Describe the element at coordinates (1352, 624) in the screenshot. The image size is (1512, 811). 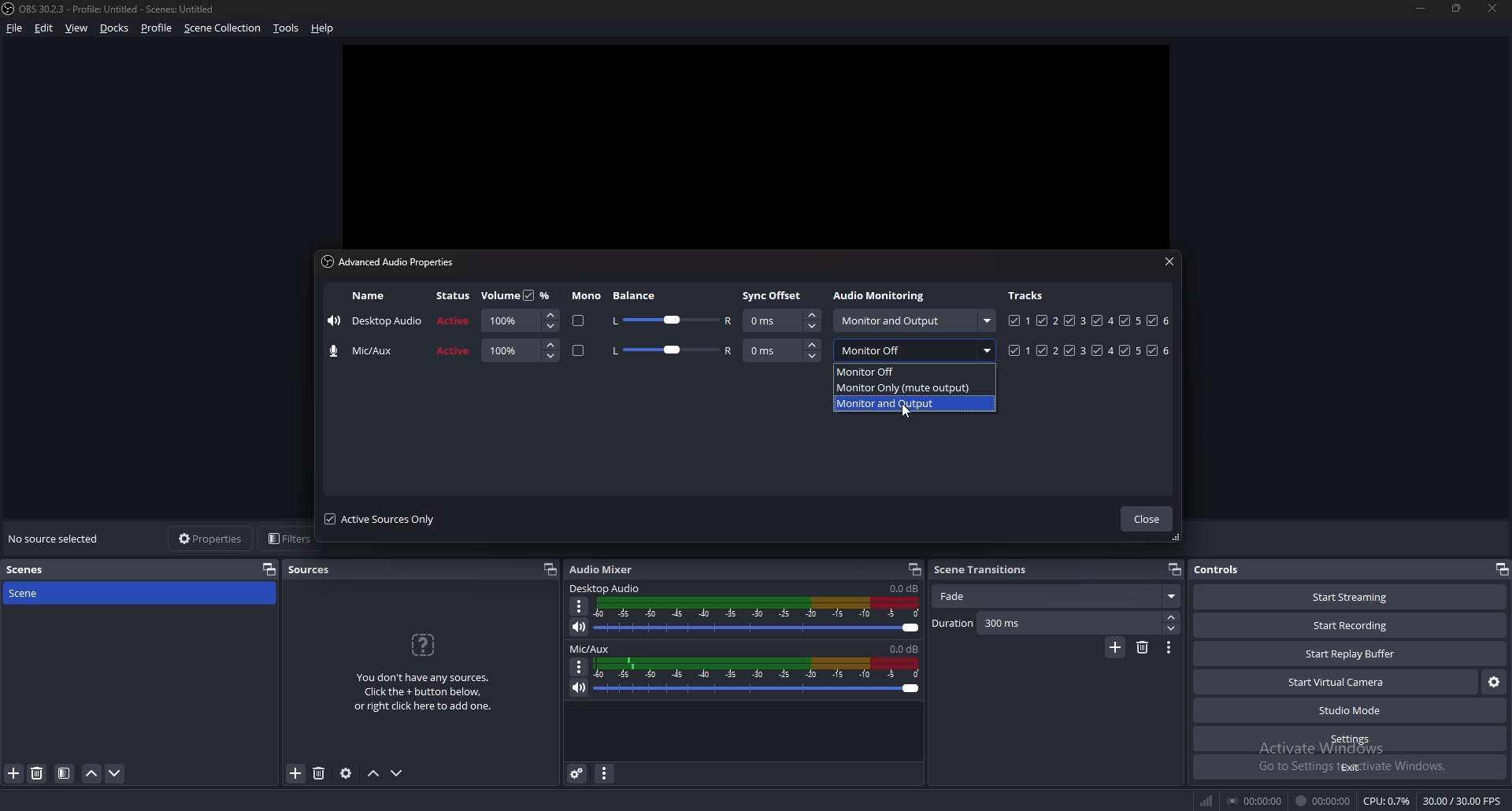
I see `start recording` at that location.